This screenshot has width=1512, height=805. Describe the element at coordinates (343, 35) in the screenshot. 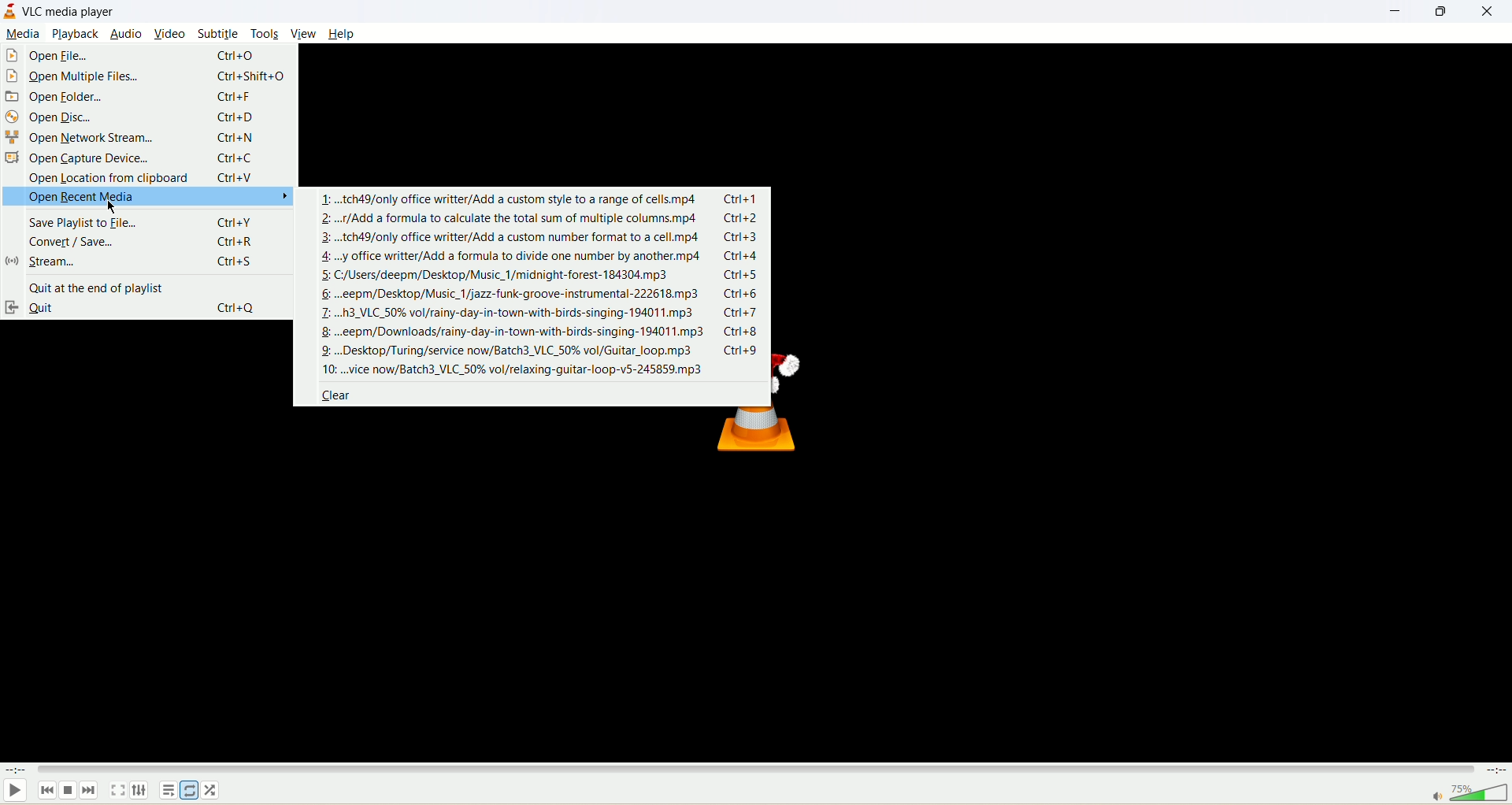

I see `help` at that location.